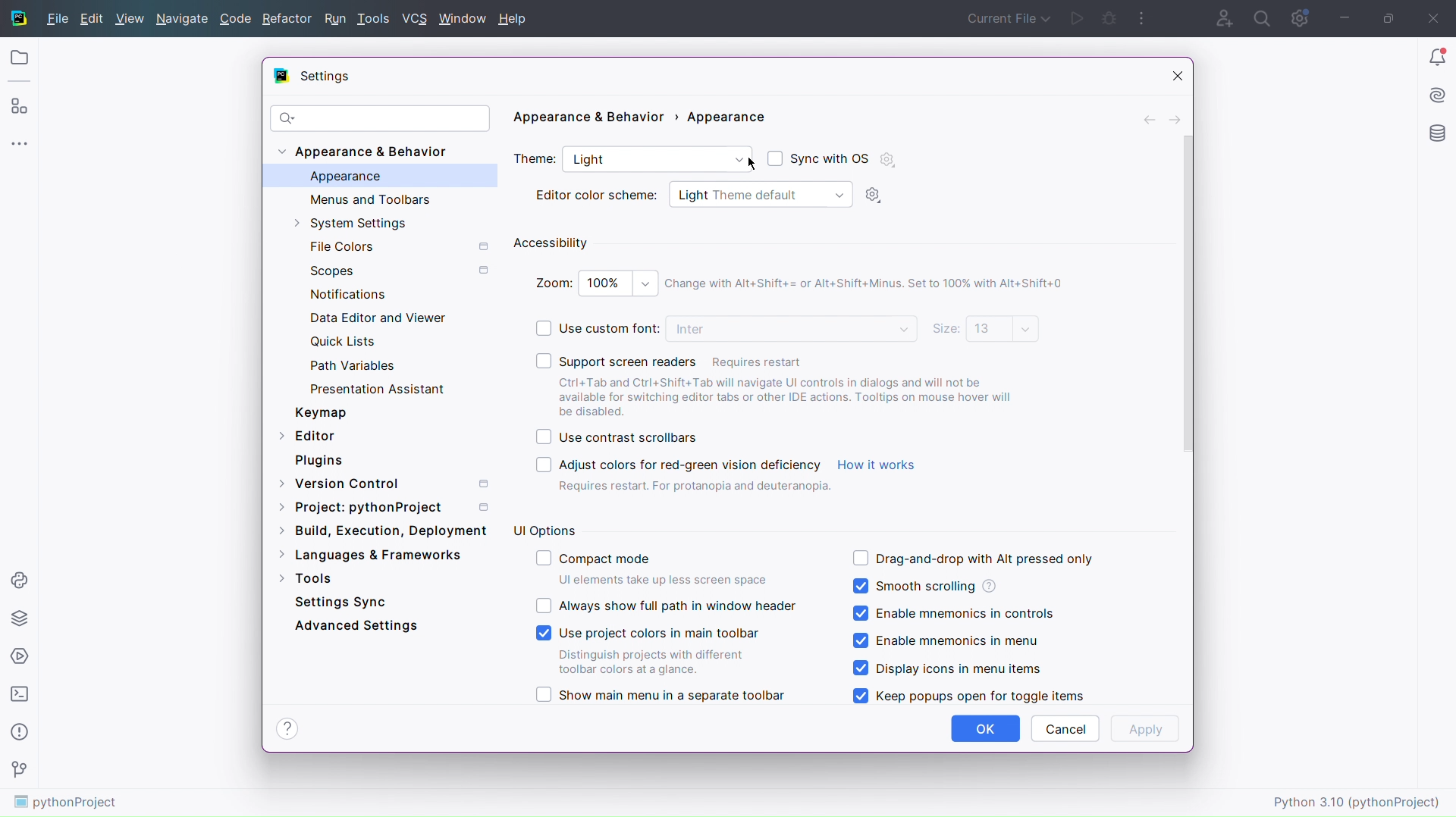 The image size is (1456, 817). What do you see at coordinates (951, 642) in the screenshot?
I see `Enable mnemonics in menu` at bounding box center [951, 642].